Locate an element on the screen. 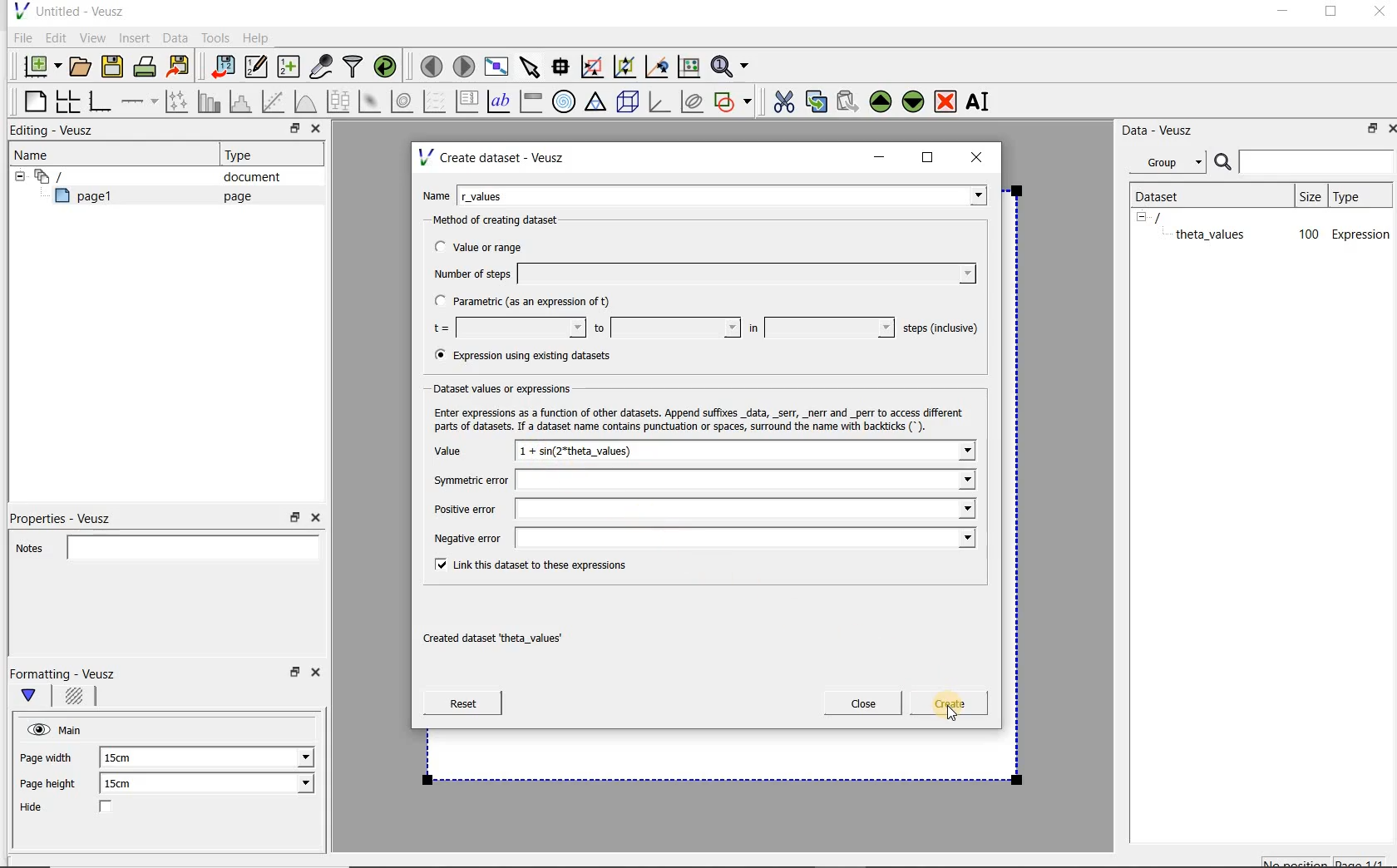  new document is located at coordinates (38, 64).